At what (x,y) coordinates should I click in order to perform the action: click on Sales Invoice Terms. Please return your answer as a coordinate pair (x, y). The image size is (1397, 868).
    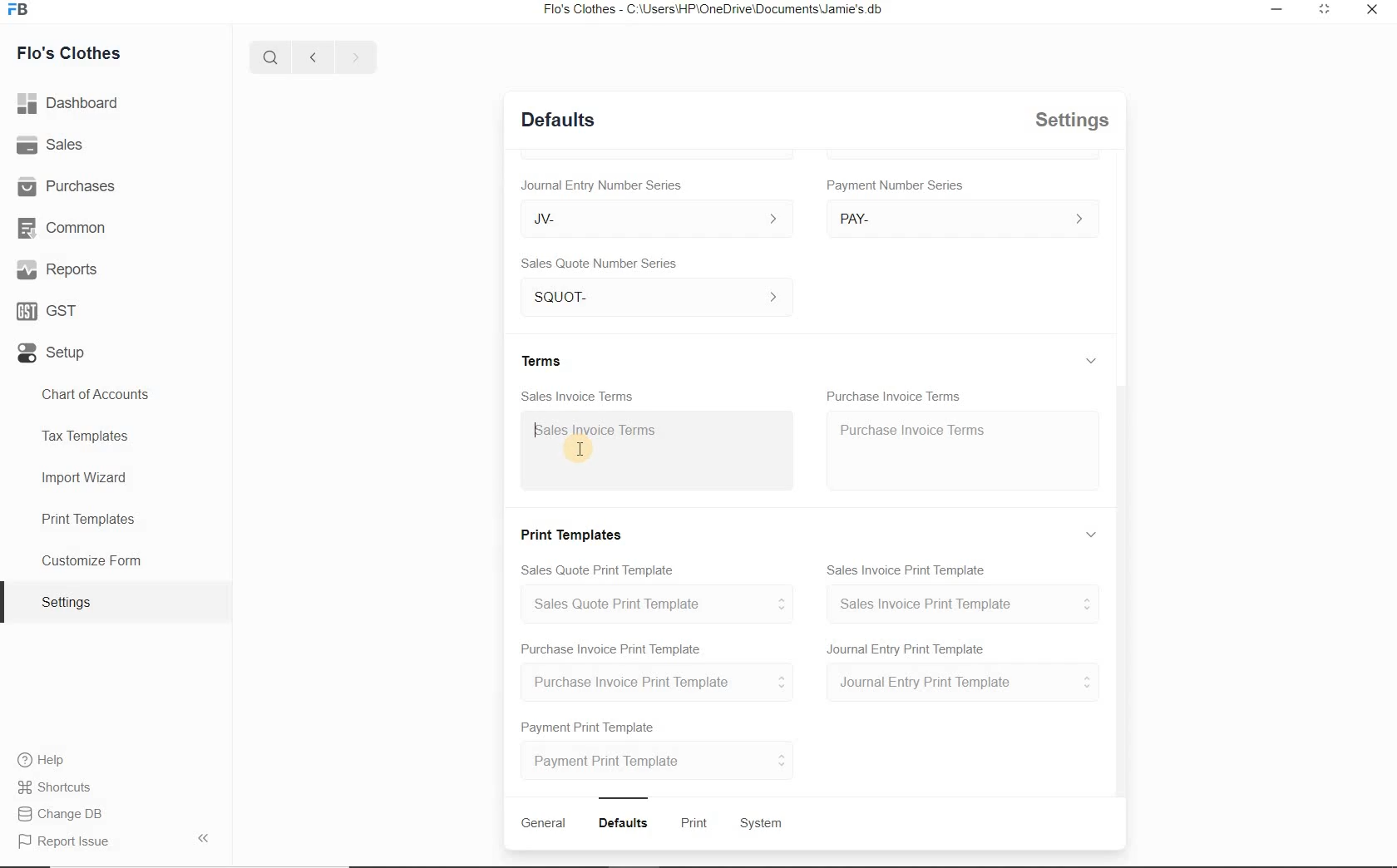
    Looking at the image, I should click on (578, 394).